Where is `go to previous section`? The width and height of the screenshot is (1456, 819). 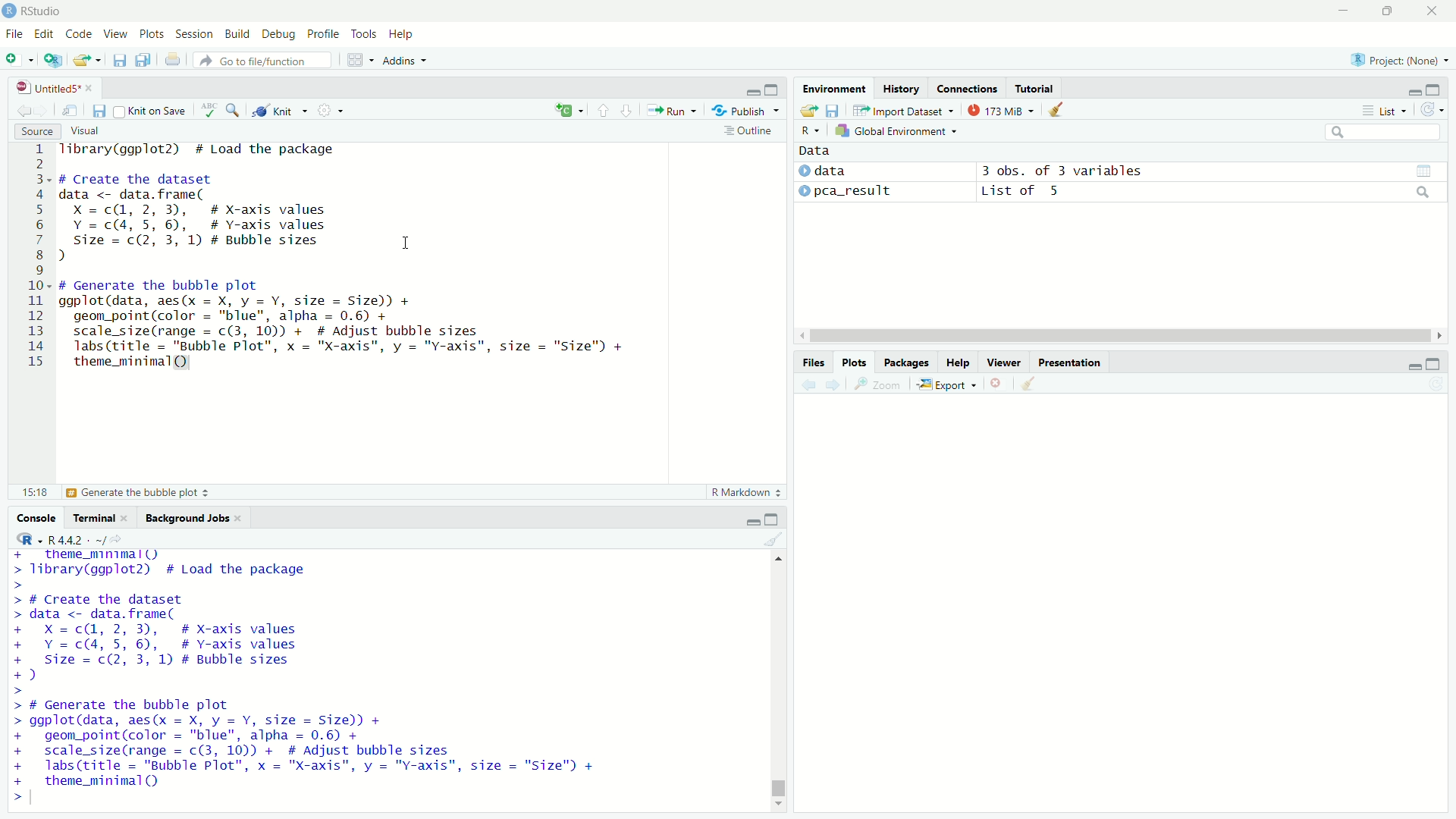
go to previous section is located at coordinates (604, 110).